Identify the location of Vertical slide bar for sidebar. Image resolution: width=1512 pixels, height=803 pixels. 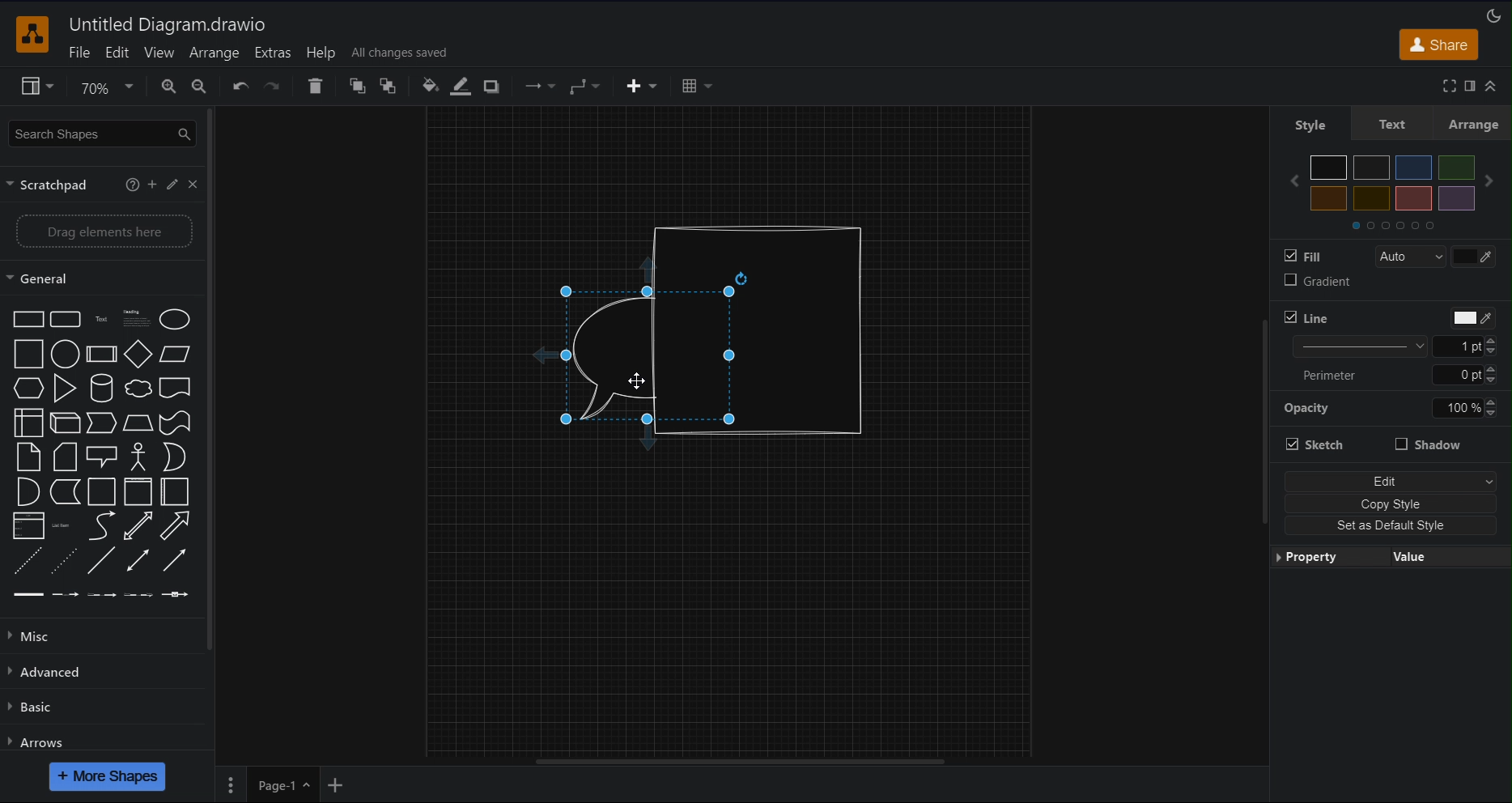
(209, 380).